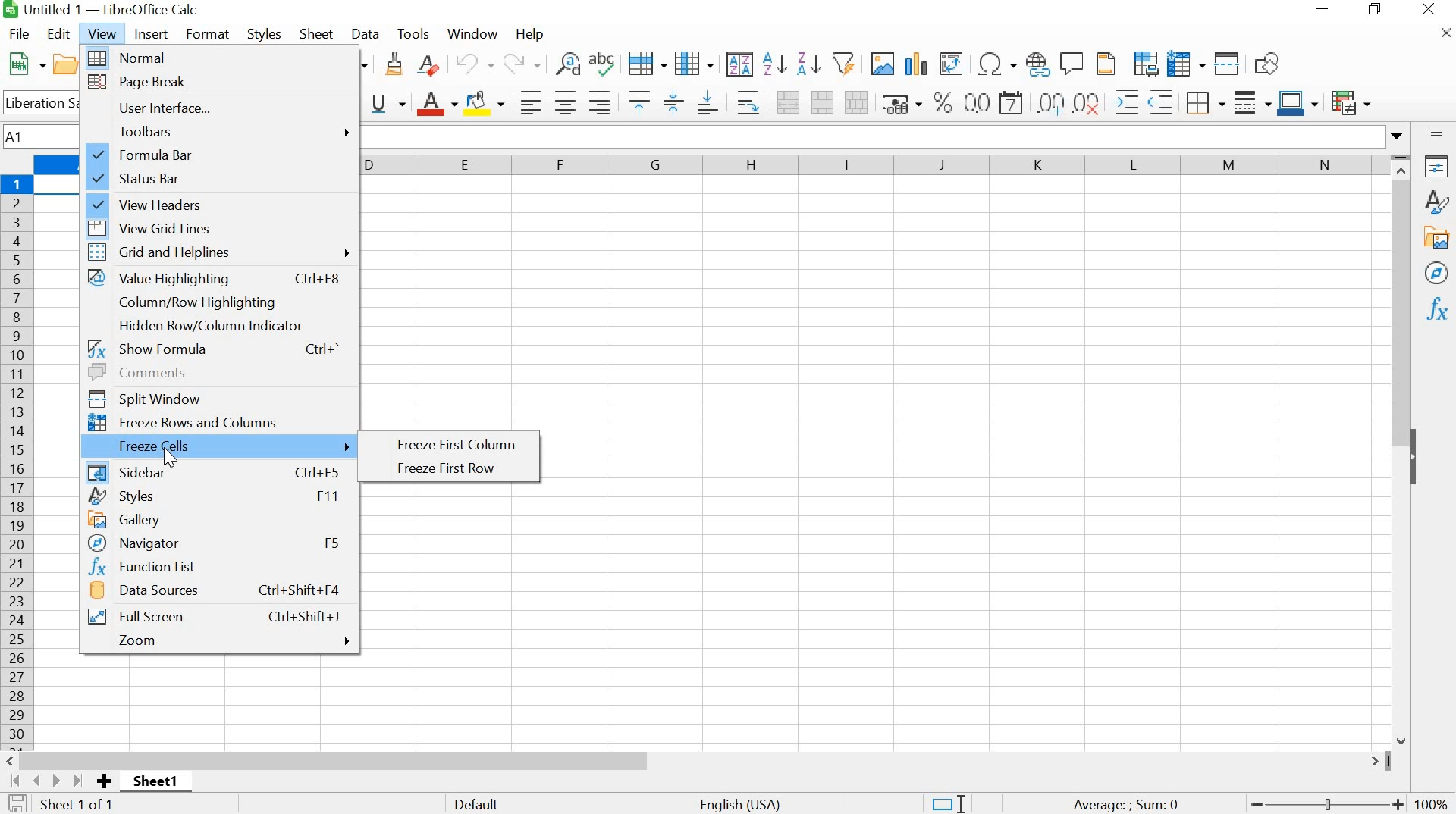 This screenshot has width=1456, height=814. What do you see at coordinates (459, 468) in the screenshot?
I see `FREEZE FIRST ROW` at bounding box center [459, 468].